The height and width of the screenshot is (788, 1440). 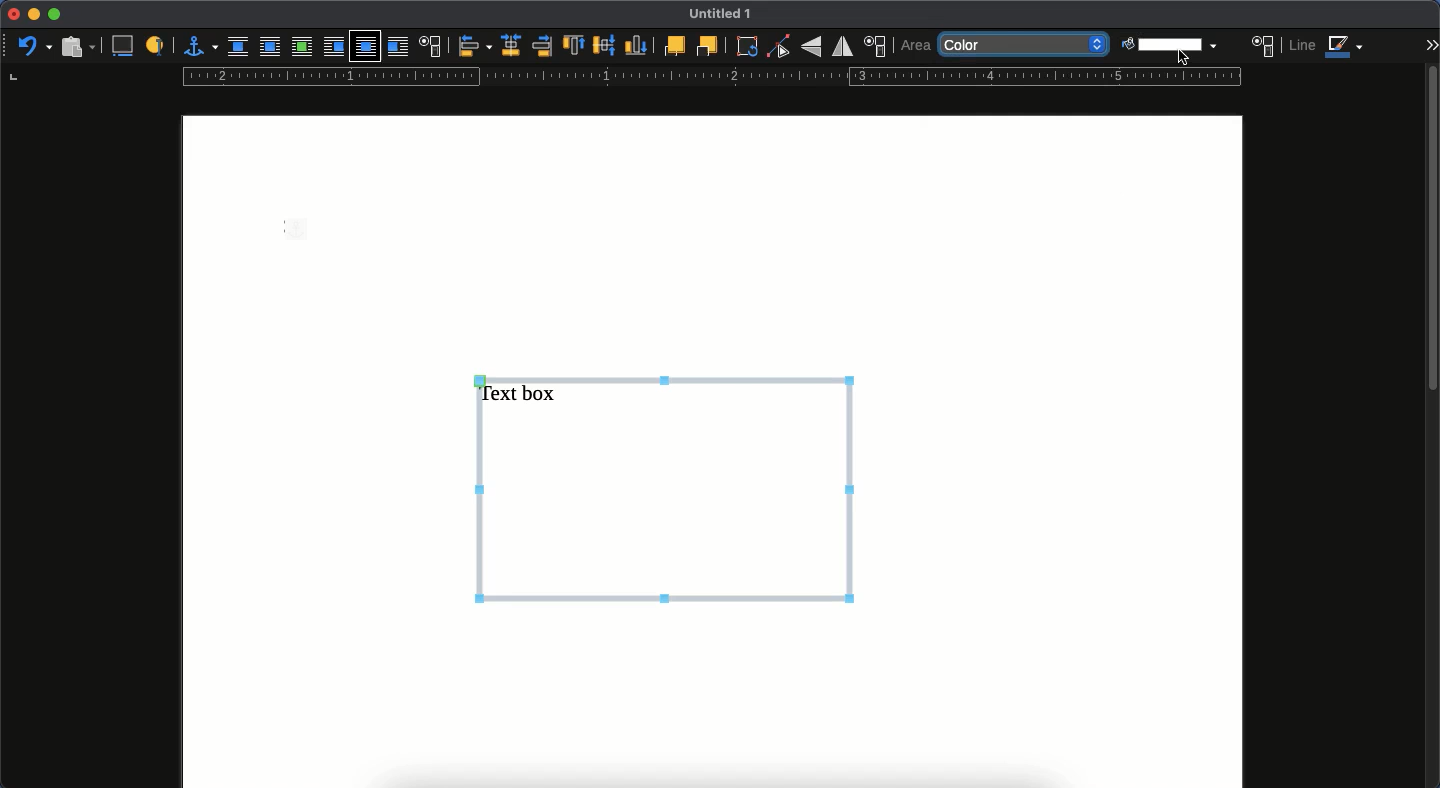 I want to click on top, so click(x=574, y=47).